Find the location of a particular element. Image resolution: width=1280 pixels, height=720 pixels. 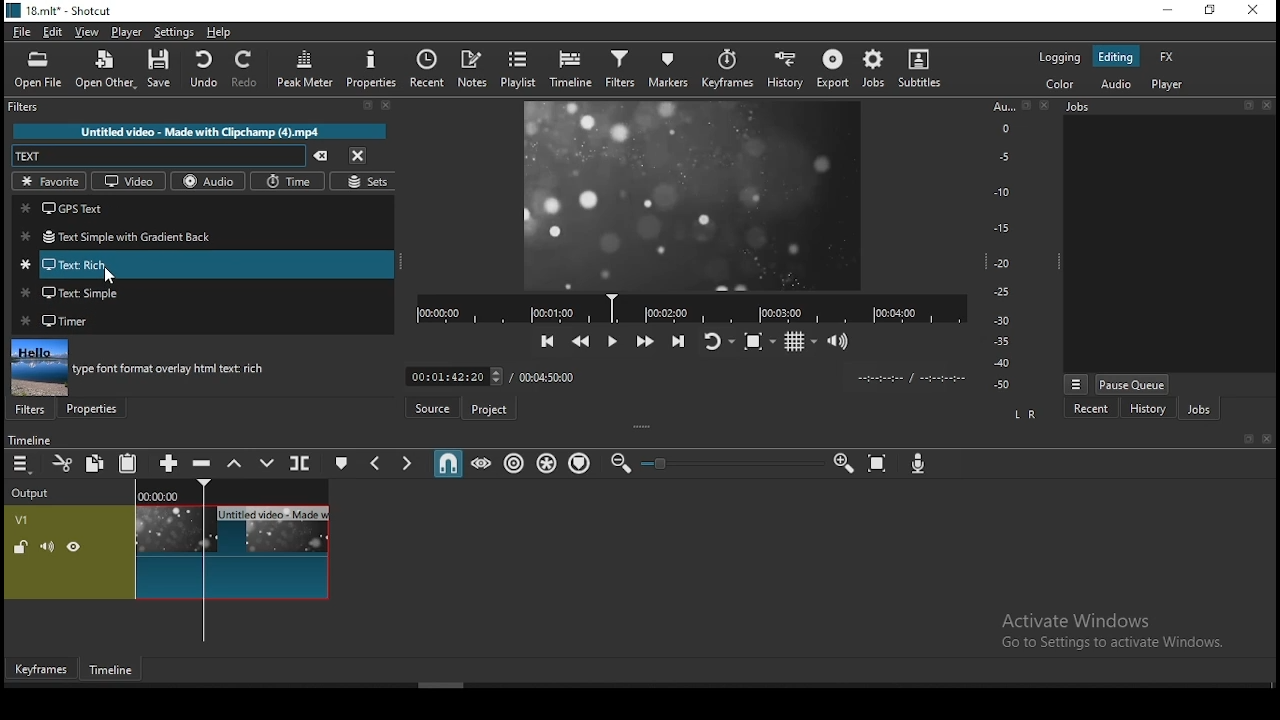

editing is located at coordinates (1117, 56).